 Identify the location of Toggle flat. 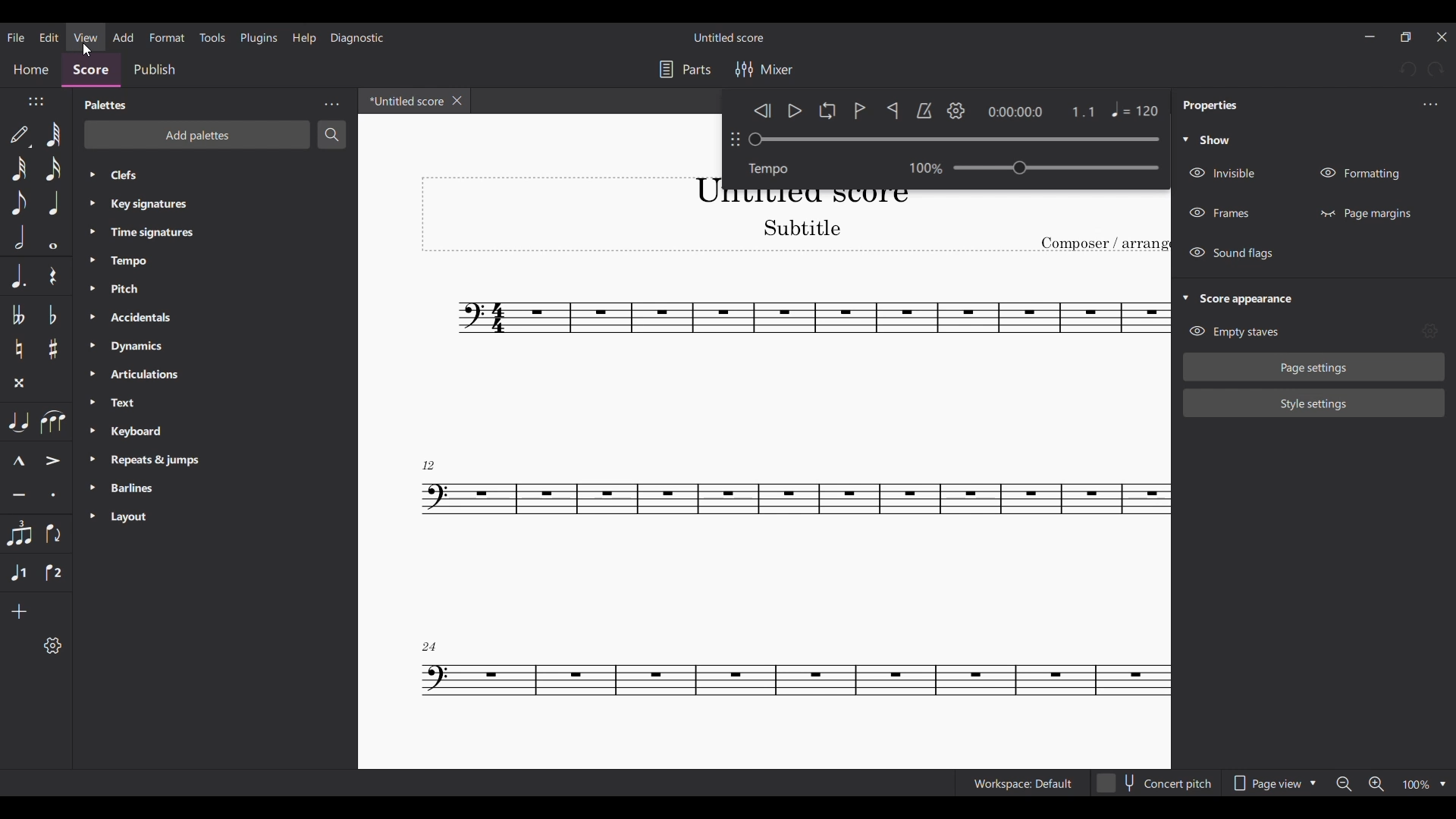
(52, 315).